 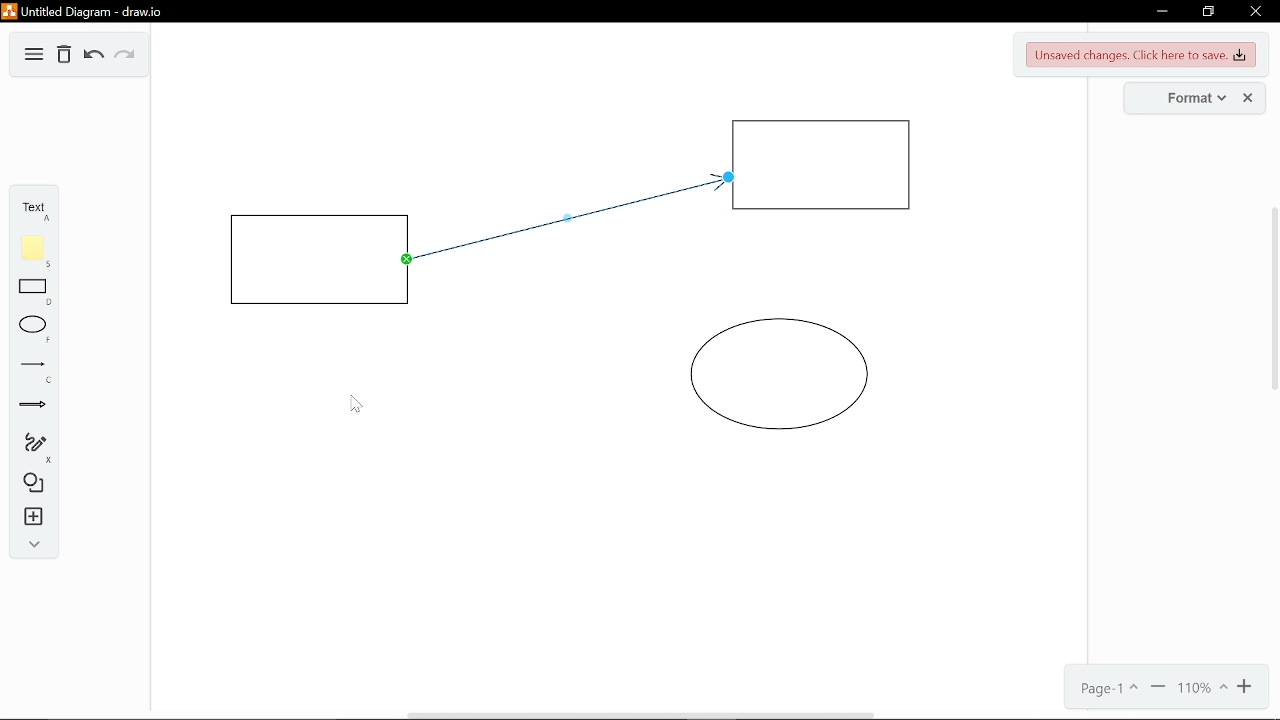 What do you see at coordinates (86, 12) in the screenshot?
I see `Untitled Diagram - draw.io` at bounding box center [86, 12].